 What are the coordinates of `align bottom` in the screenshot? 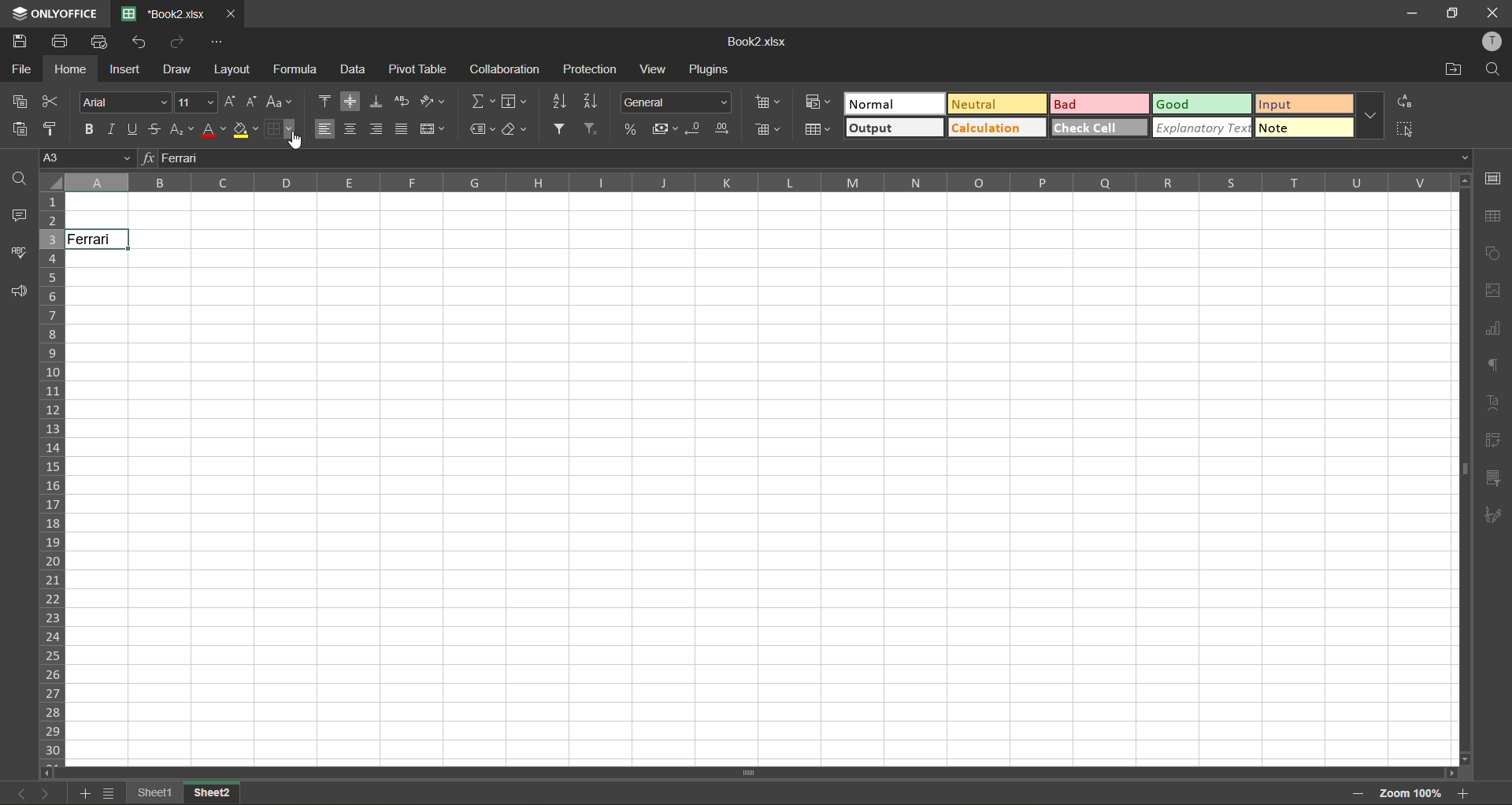 It's located at (376, 102).